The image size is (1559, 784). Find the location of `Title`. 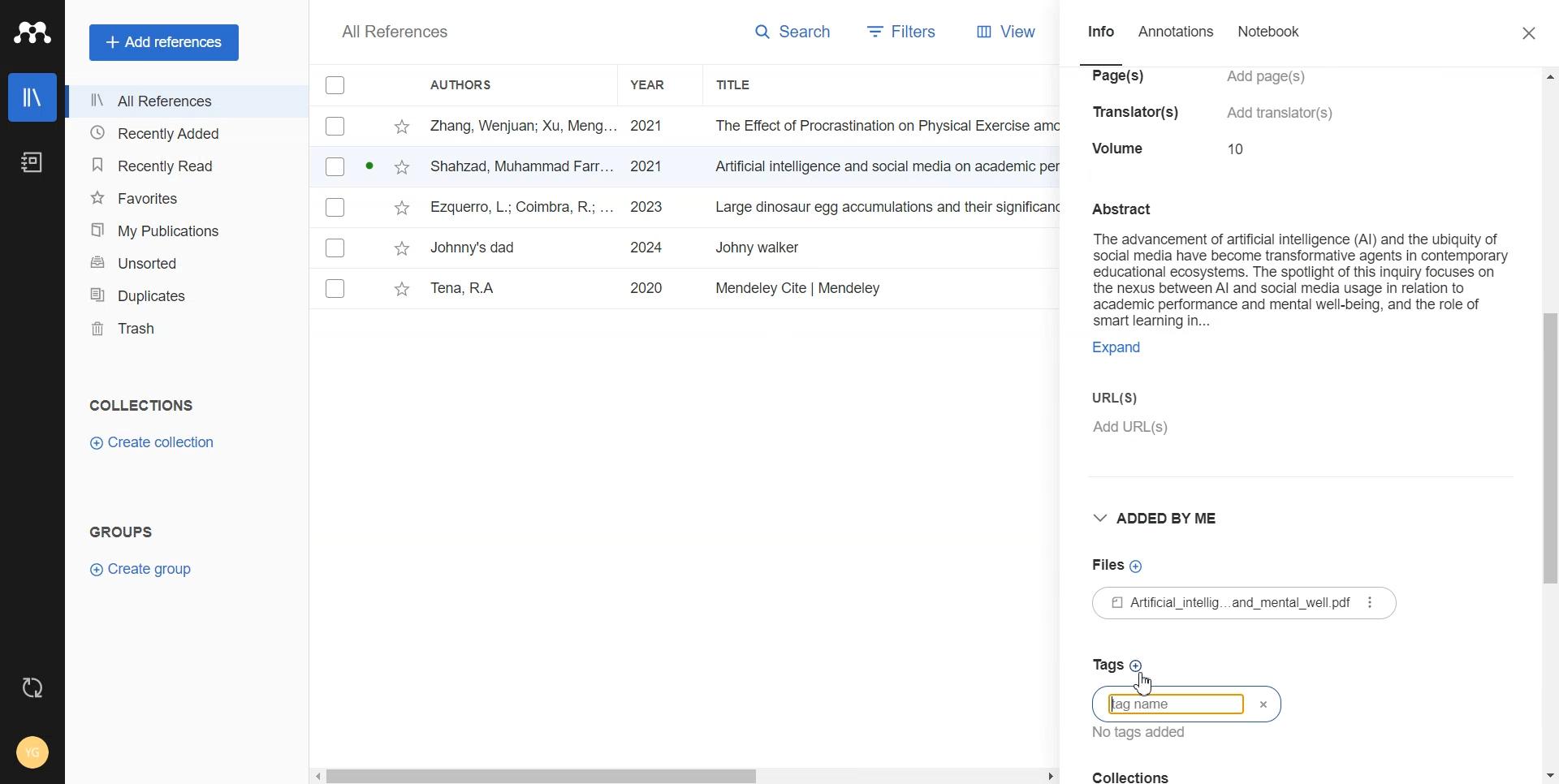

Title is located at coordinates (752, 85).